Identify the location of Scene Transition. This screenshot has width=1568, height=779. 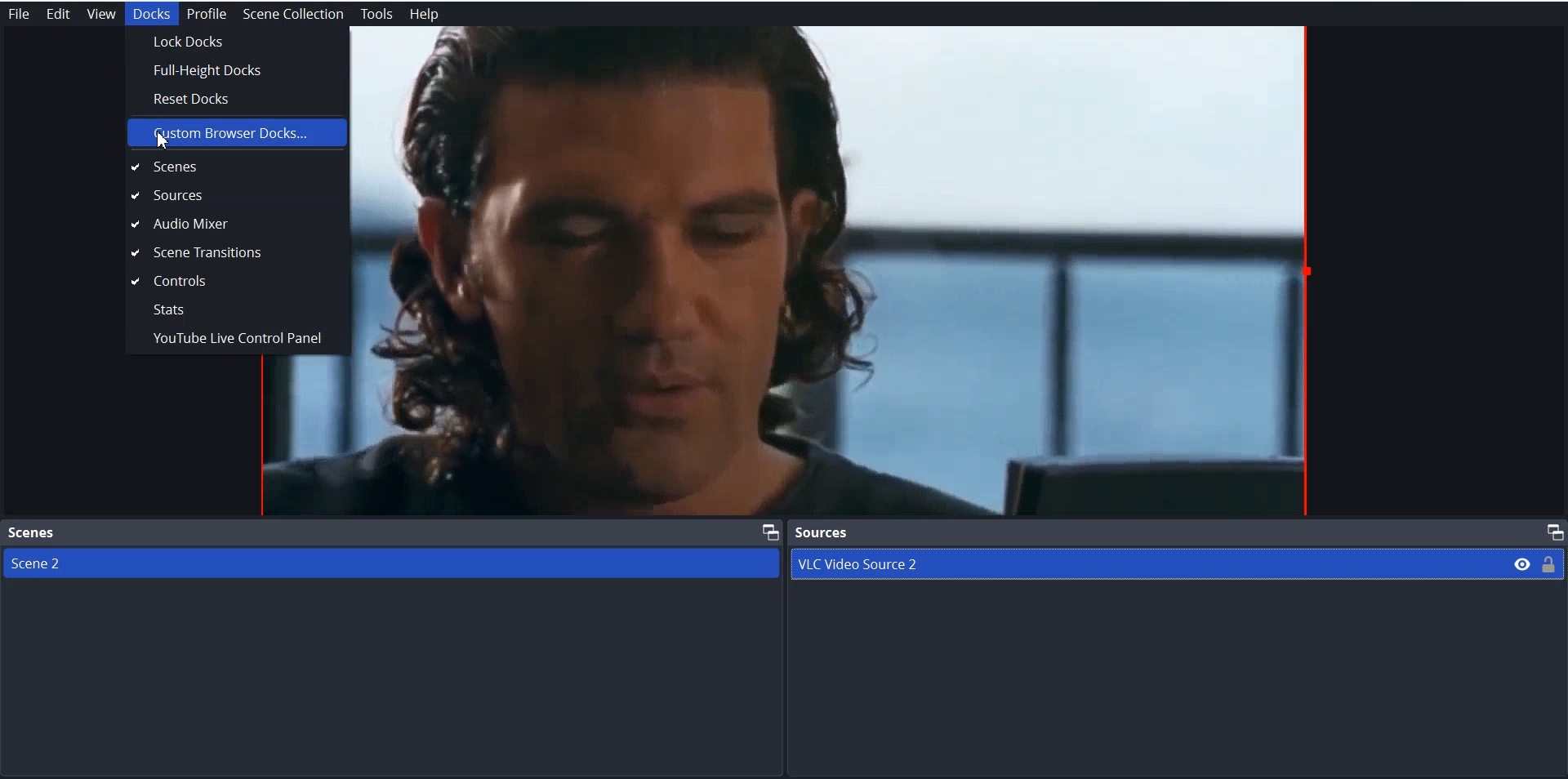
(238, 253).